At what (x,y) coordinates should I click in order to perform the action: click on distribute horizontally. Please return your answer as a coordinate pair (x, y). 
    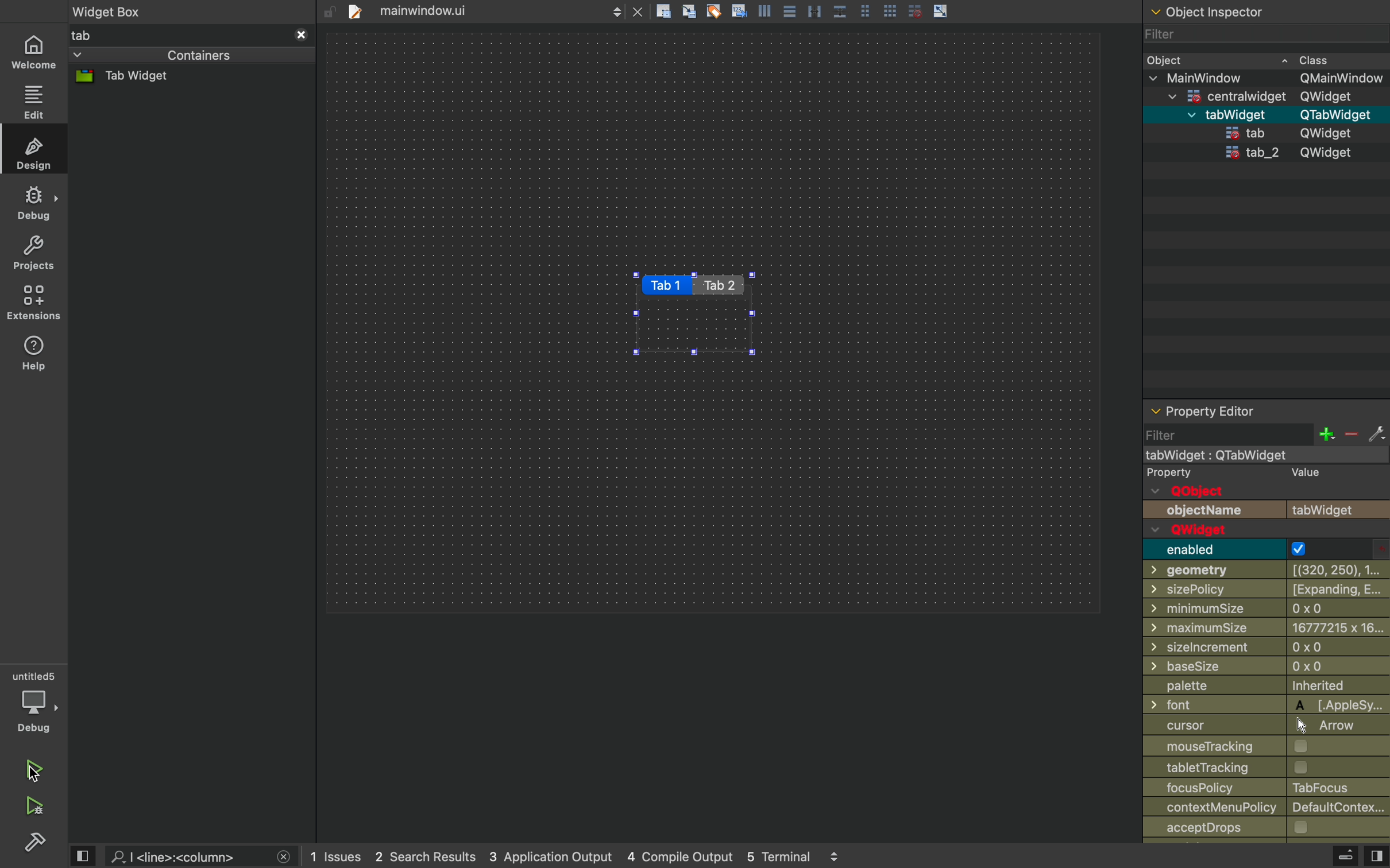
    Looking at the image, I should click on (814, 10).